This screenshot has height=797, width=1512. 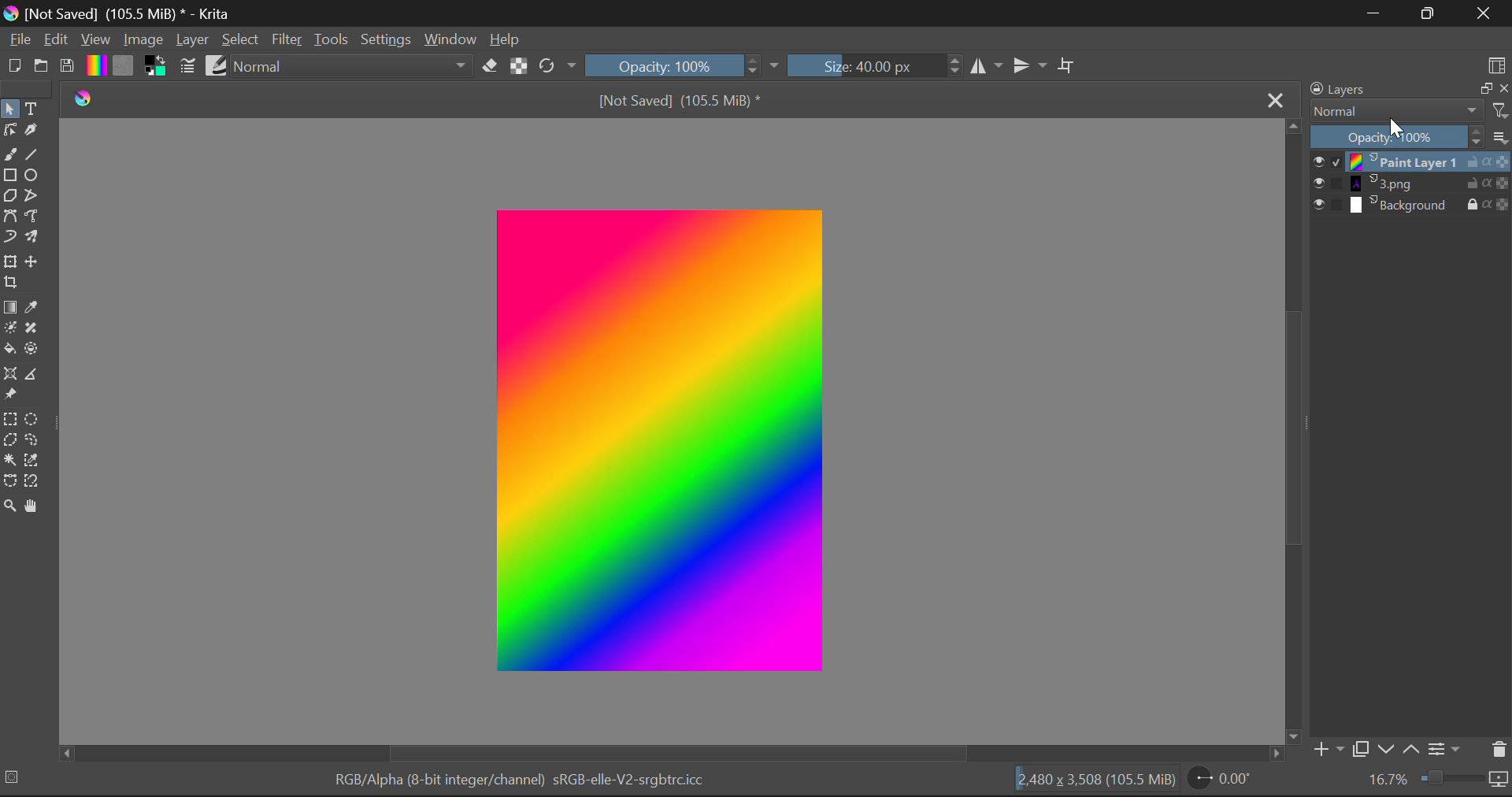 I want to click on Similar Color Selection, so click(x=32, y=460).